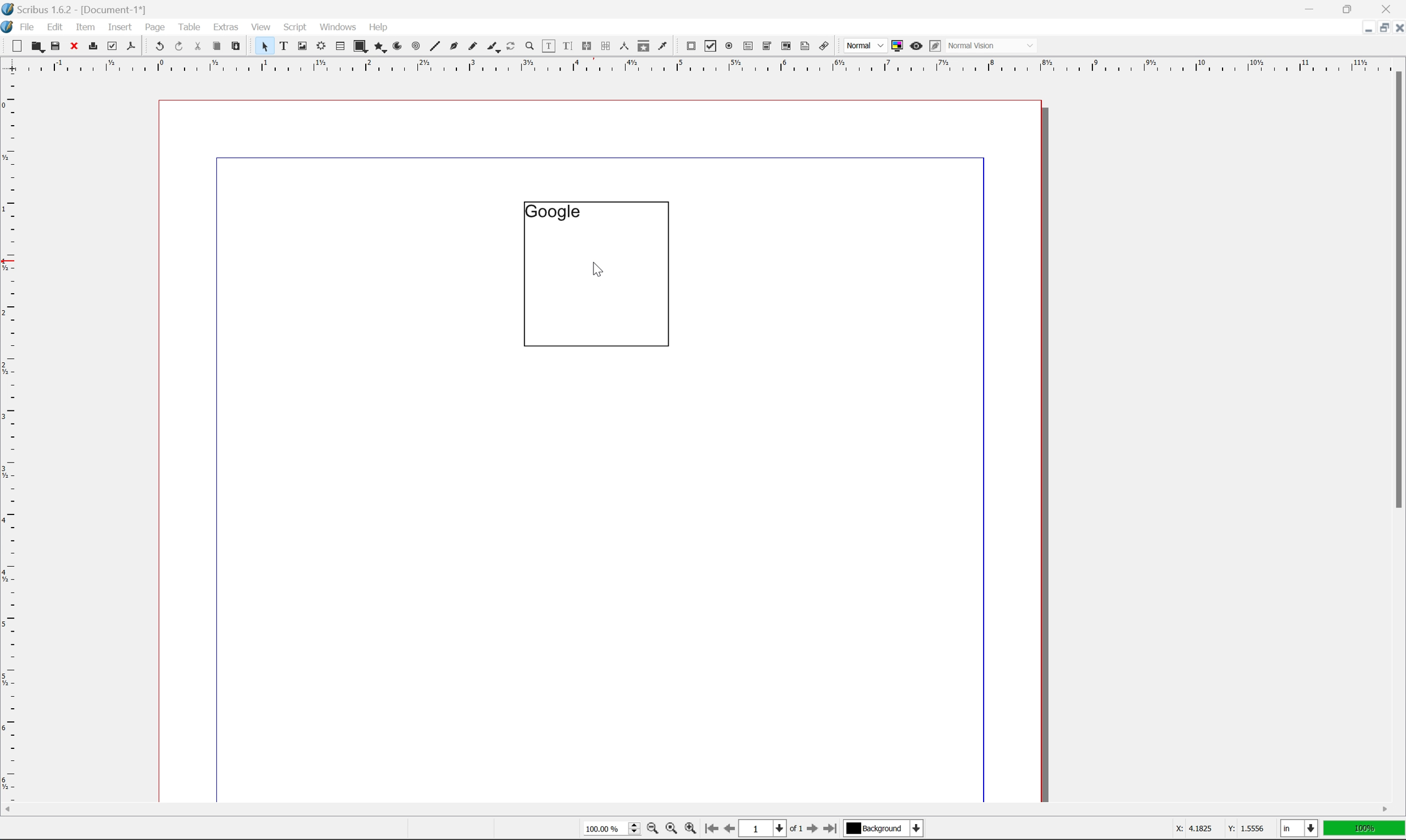 This screenshot has height=840, width=1406. What do you see at coordinates (663, 45) in the screenshot?
I see `eye dropper` at bounding box center [663, 45].